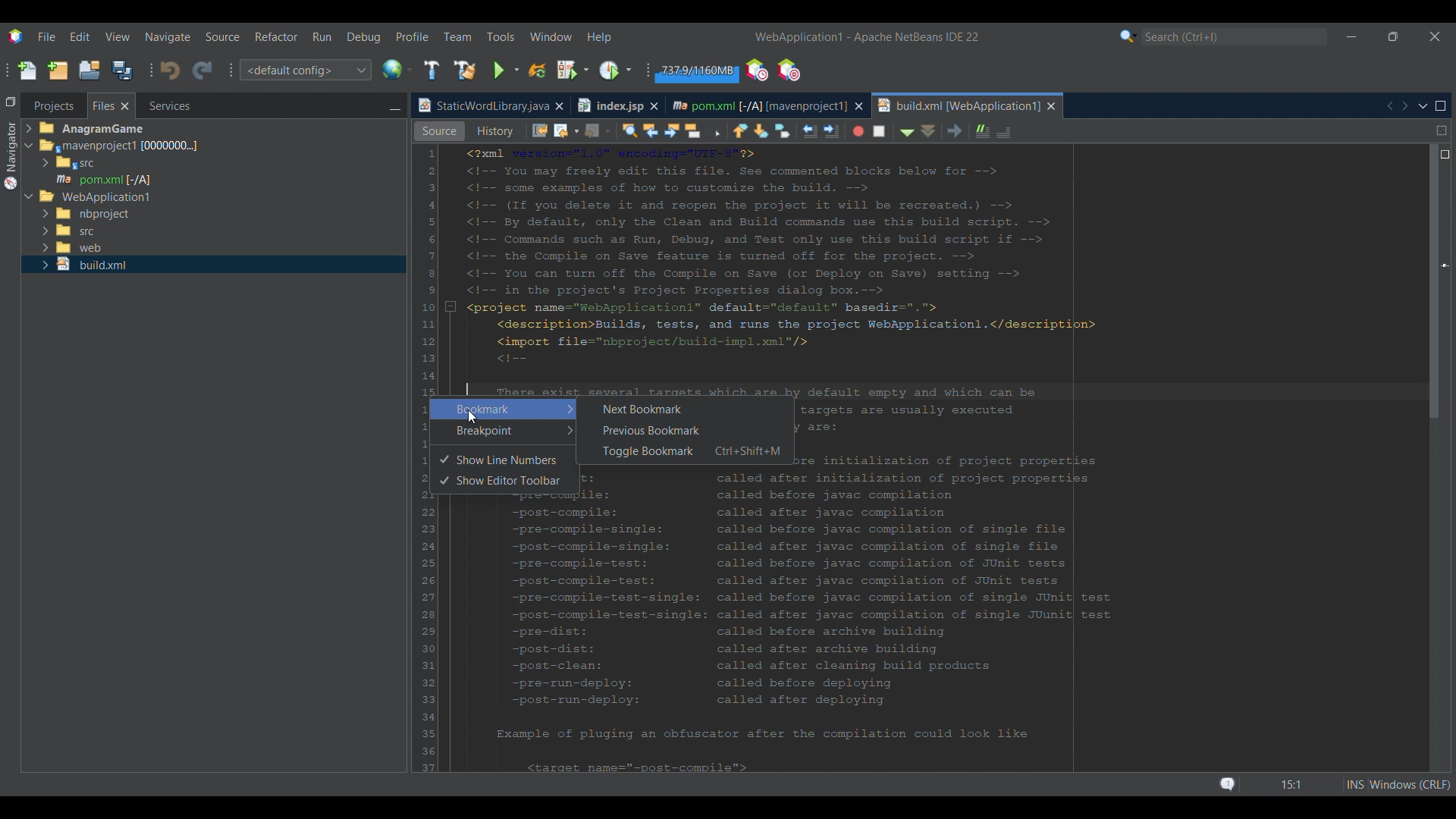  I want to click on Highlighted by cursor, so click(504, 409).